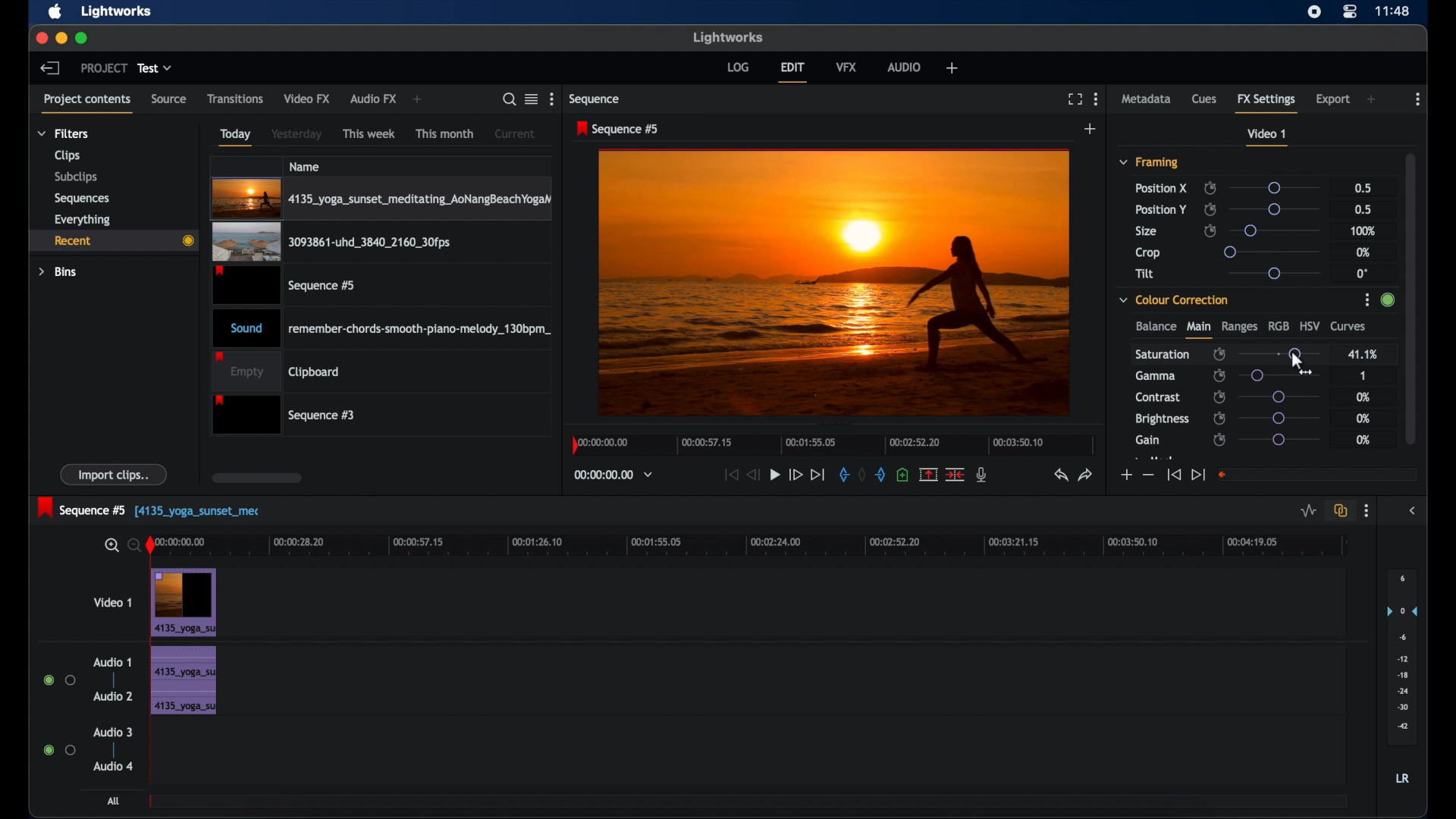 The height and width of the screenshot is (819, 1456). I want to click on minimize, so click(58, 38).